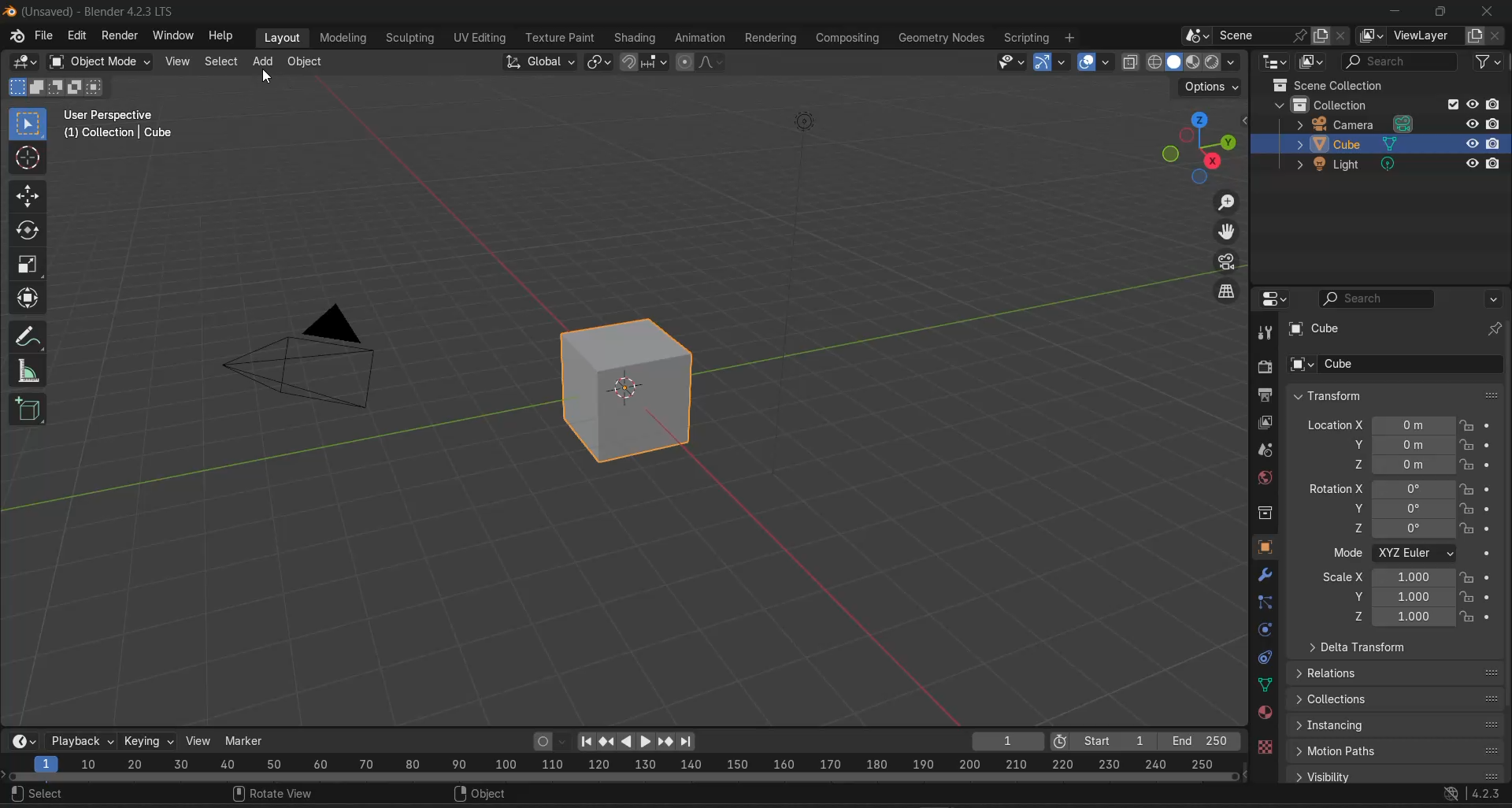 This screenshot has width=1512, height=808. What do you see at coordinates (1263, 630) in the screenshot?
I see `physics` at bounding box center [1263, 630].